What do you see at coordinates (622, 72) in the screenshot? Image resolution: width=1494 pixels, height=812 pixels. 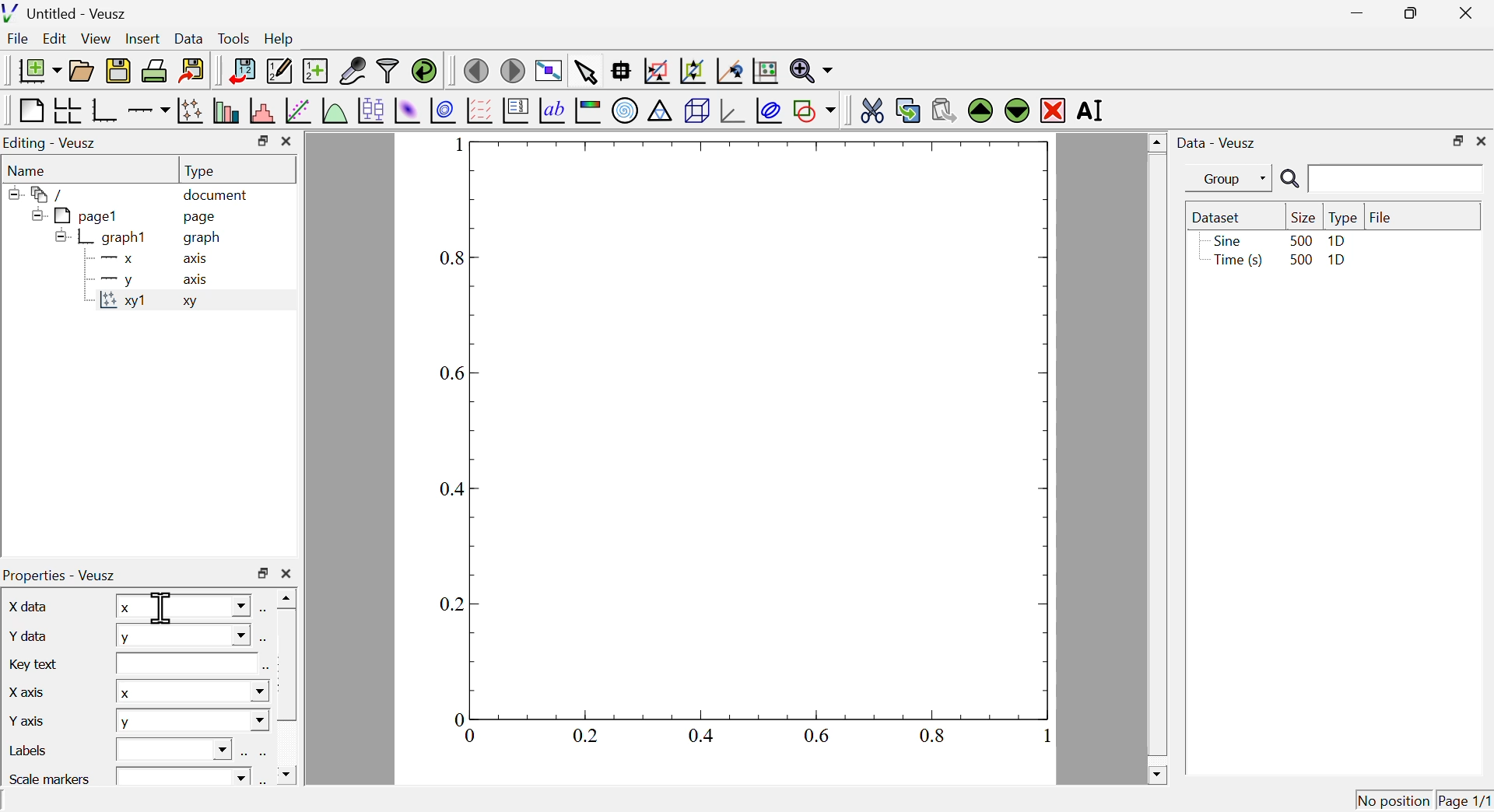 I see `read data points on the graph` at bounding box center [622, 72].